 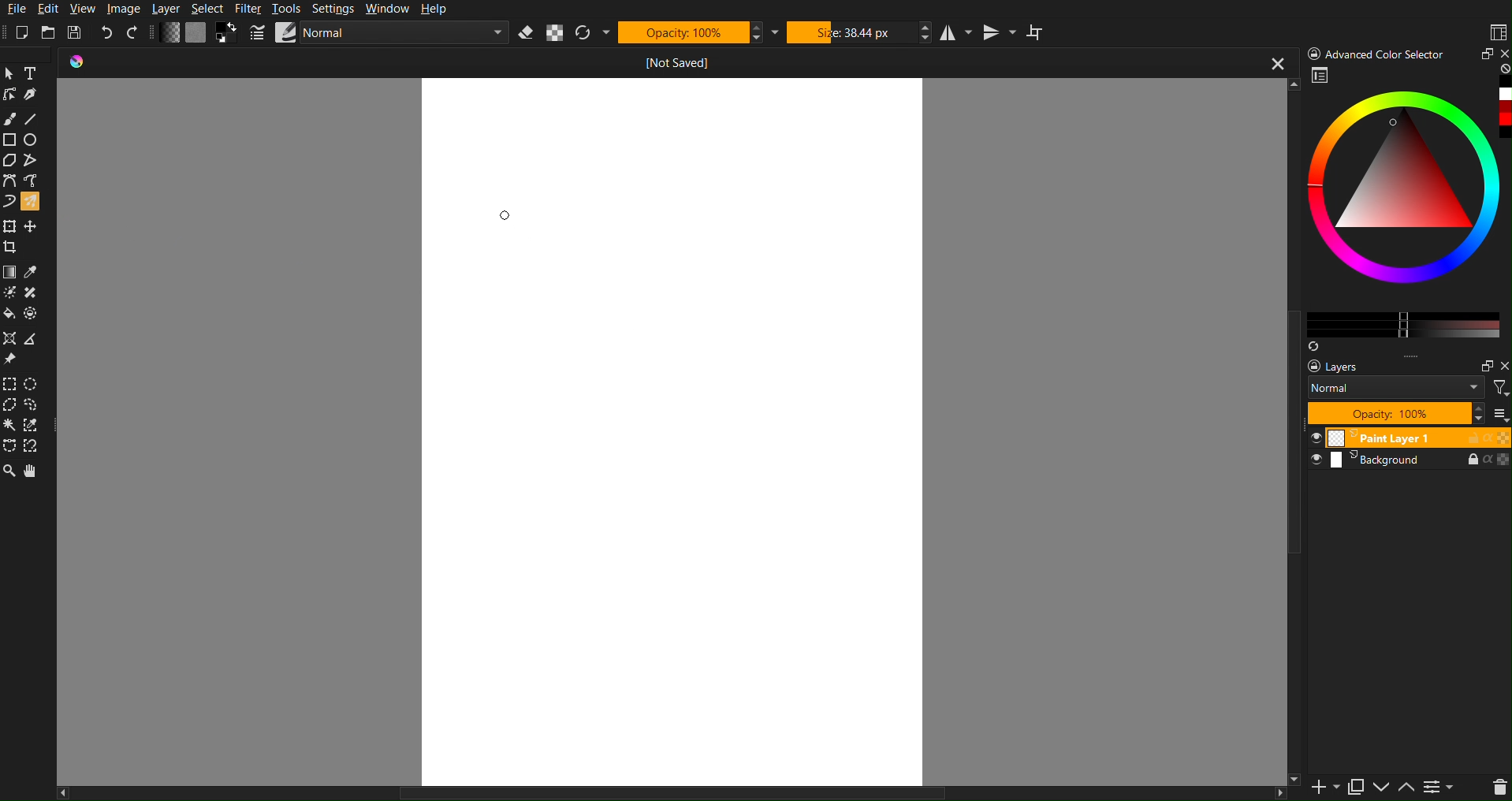 What do you see at coordinates (251, 9) in the screenshot?
I see `Filter` at bounding box center [251, 9].